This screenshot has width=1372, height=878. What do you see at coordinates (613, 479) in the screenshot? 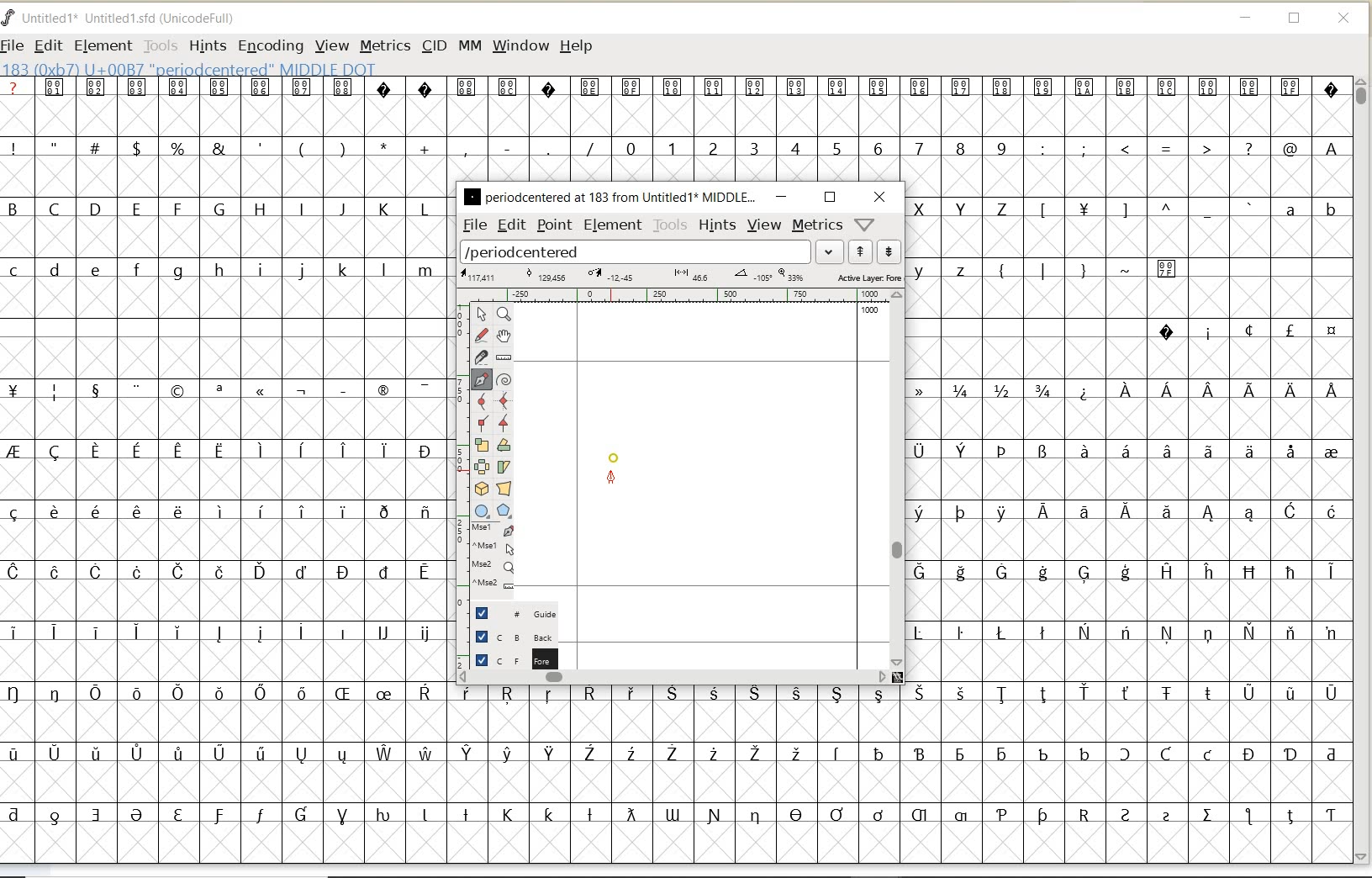
I see `feltpen tool/cursor location` at bounding box center [613, 479].